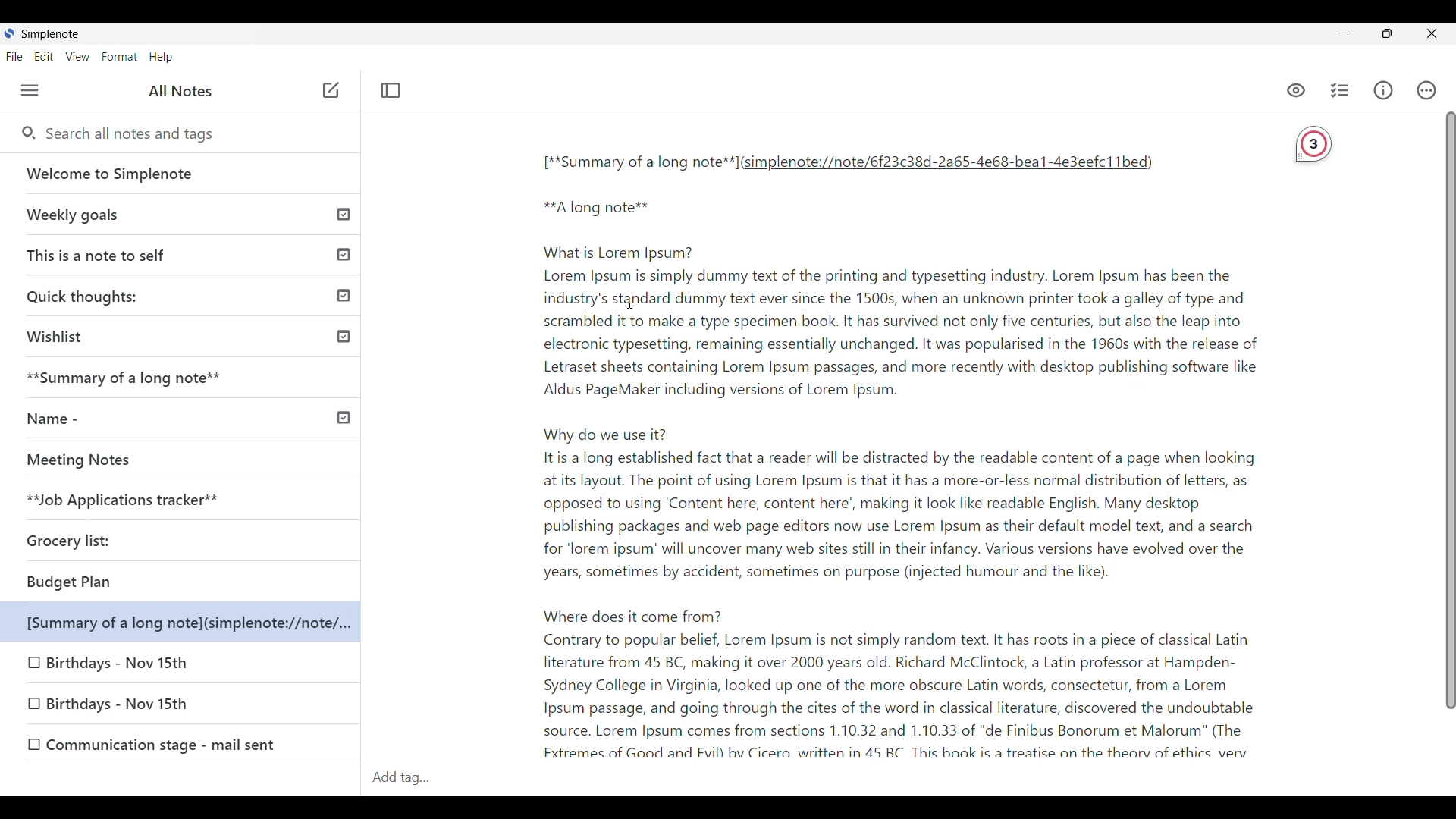  What do you see at coordinates (1316, 146) in the screenshot?
I see `Grammarly extension` at bounding box center [1316, 146].